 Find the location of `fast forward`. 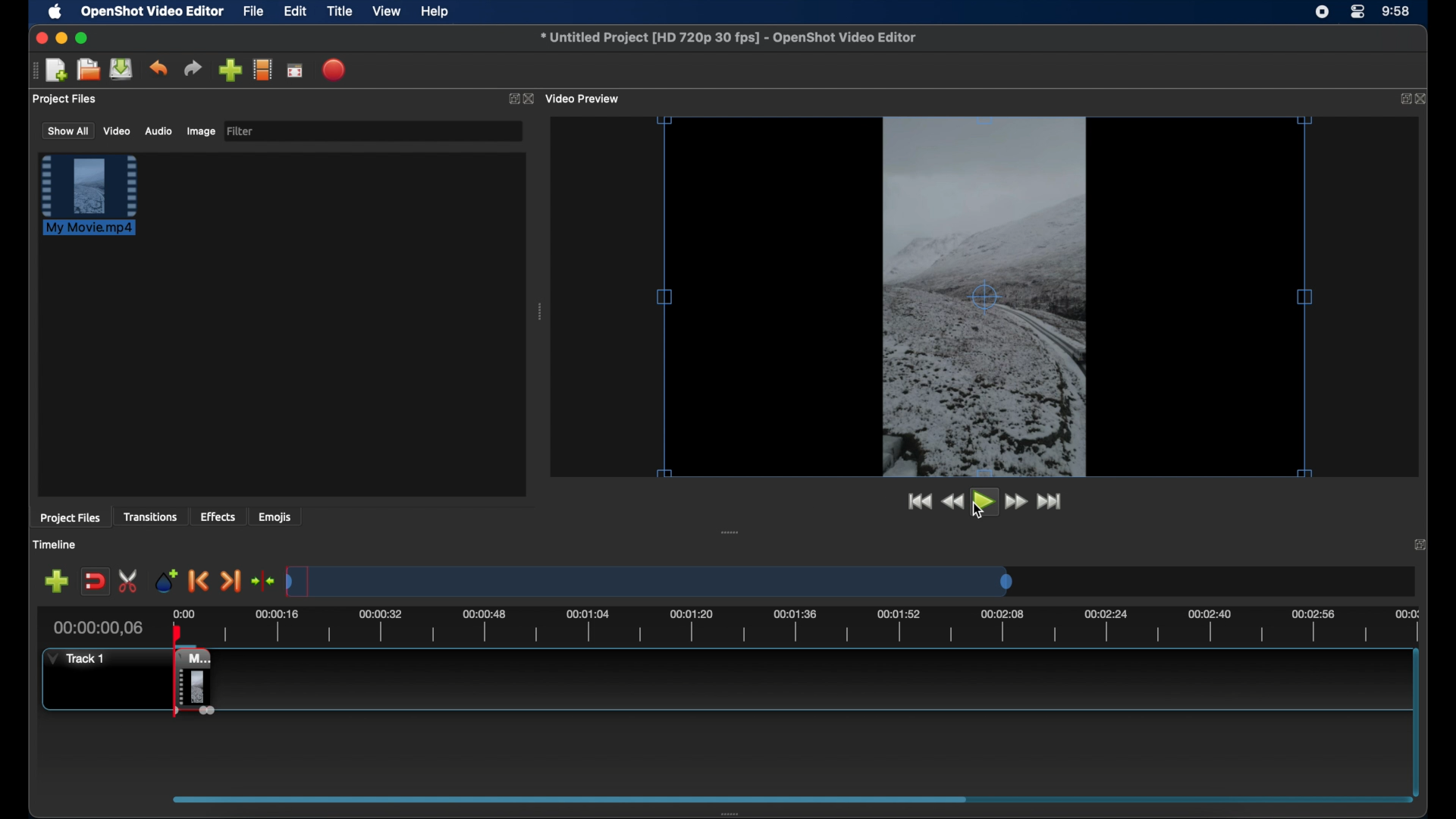

fast forward is located at coordinates (1017, 502).